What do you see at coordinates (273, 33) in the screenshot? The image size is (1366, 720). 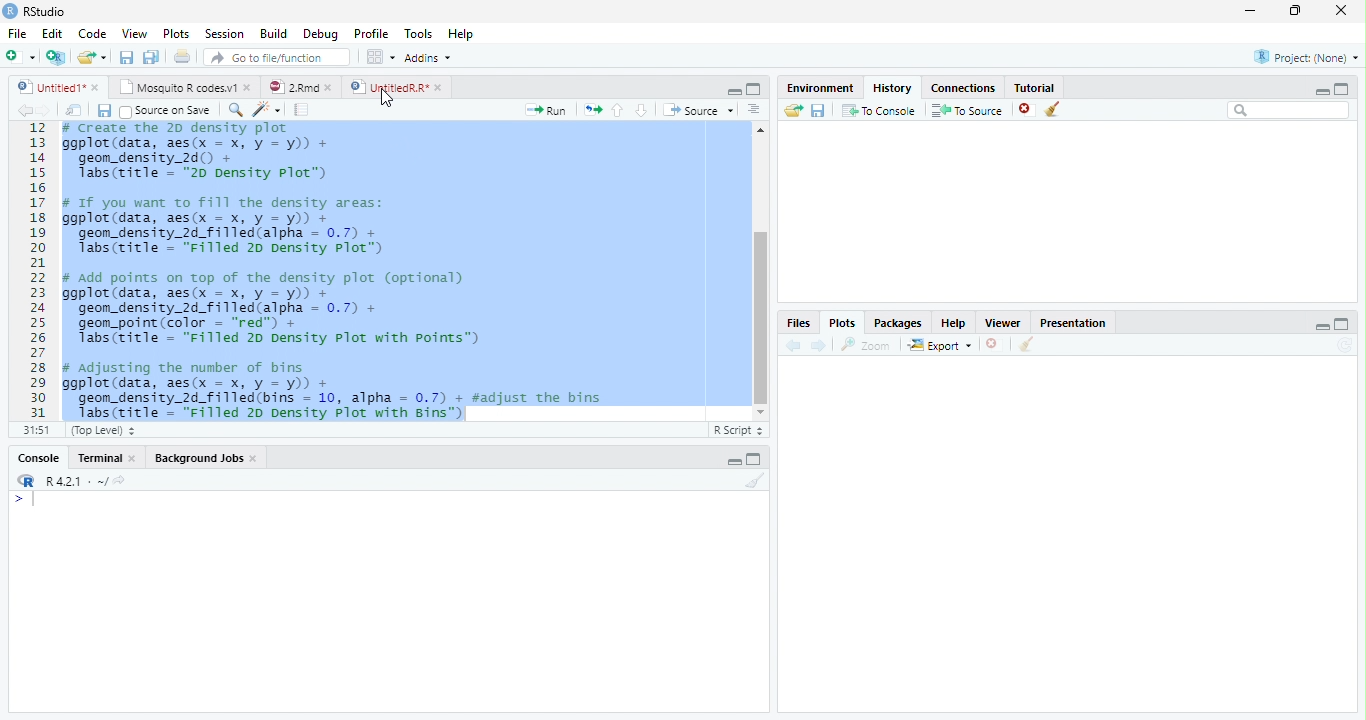 I see `Build` at bounding box center [273, 33].